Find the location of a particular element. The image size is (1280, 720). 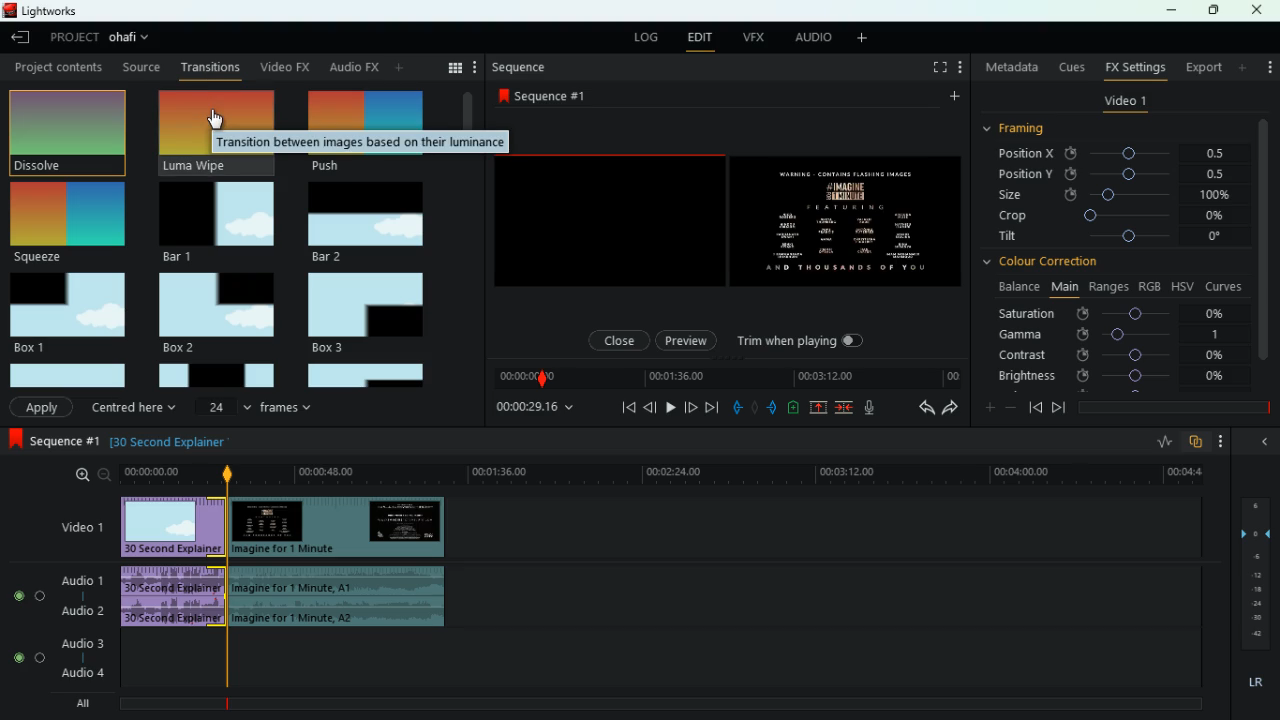

menu is located at coordinates (455, 67).